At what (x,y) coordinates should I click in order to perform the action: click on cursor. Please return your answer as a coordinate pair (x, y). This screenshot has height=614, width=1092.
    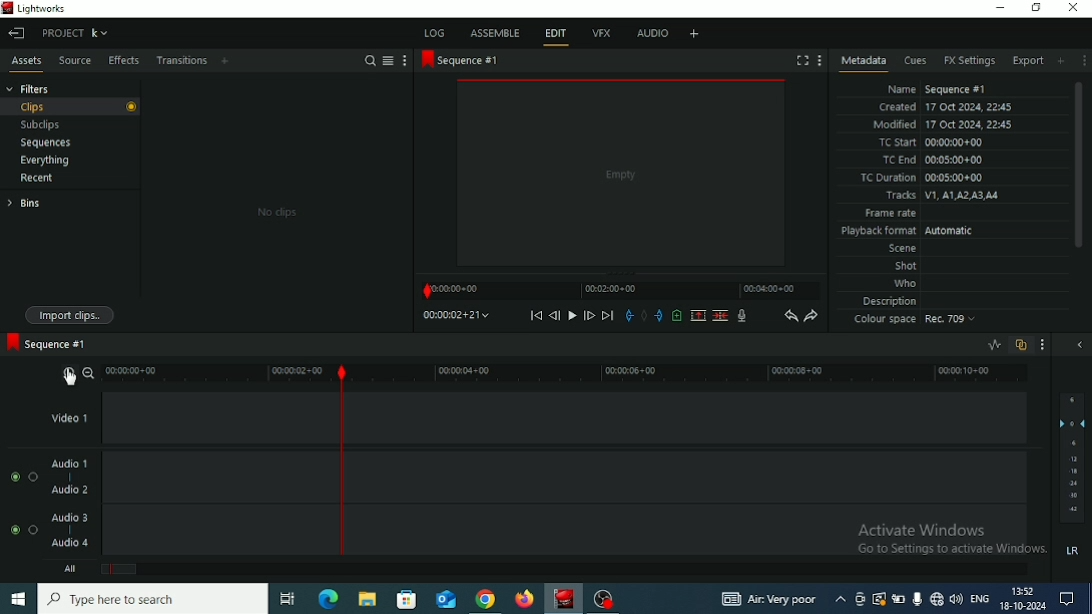
    Looking at the image, I should click on (71, 379).